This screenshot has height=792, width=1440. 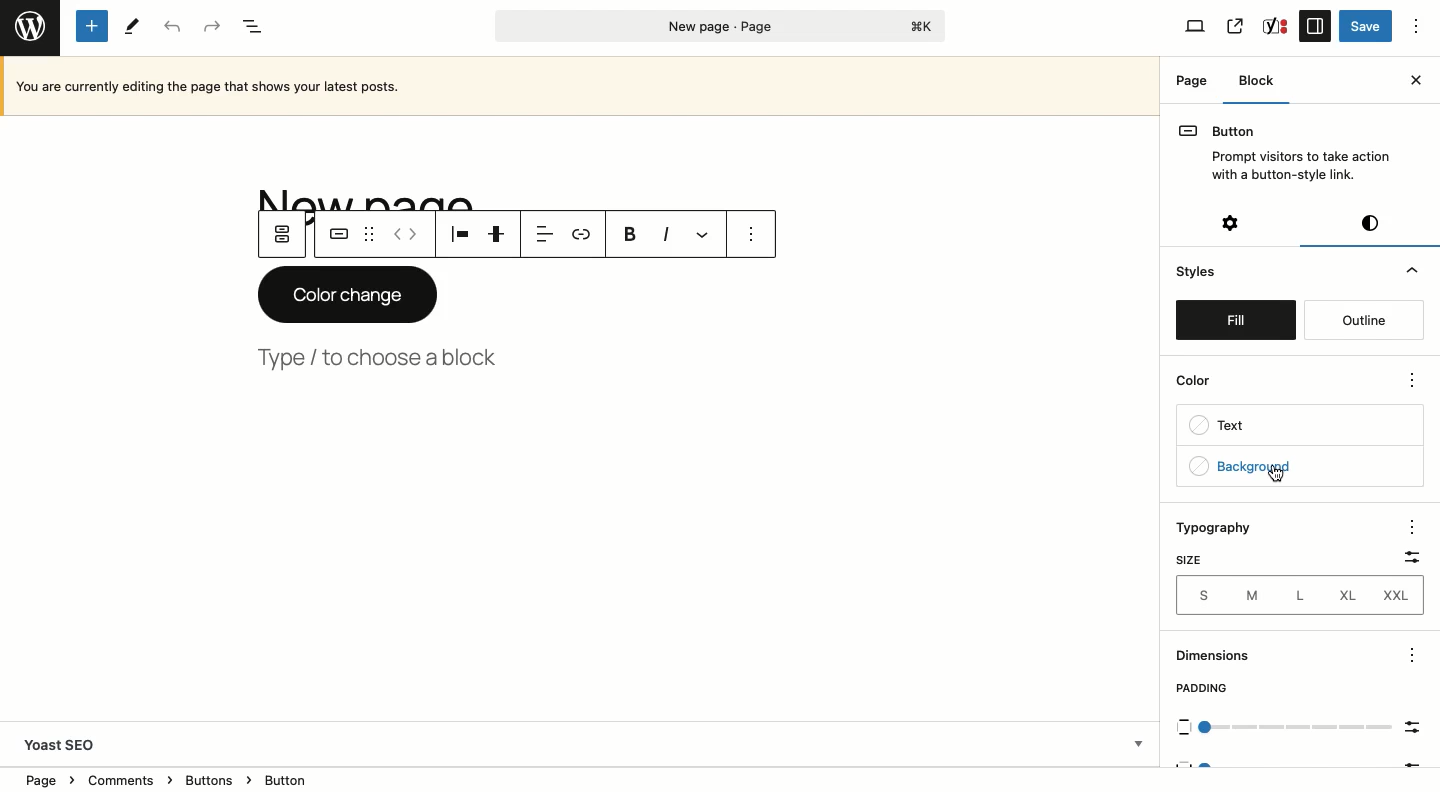 What do you see at coordinates (666, 234) in the screenshot?
I see `Italics` at bounding box center [666, 234].